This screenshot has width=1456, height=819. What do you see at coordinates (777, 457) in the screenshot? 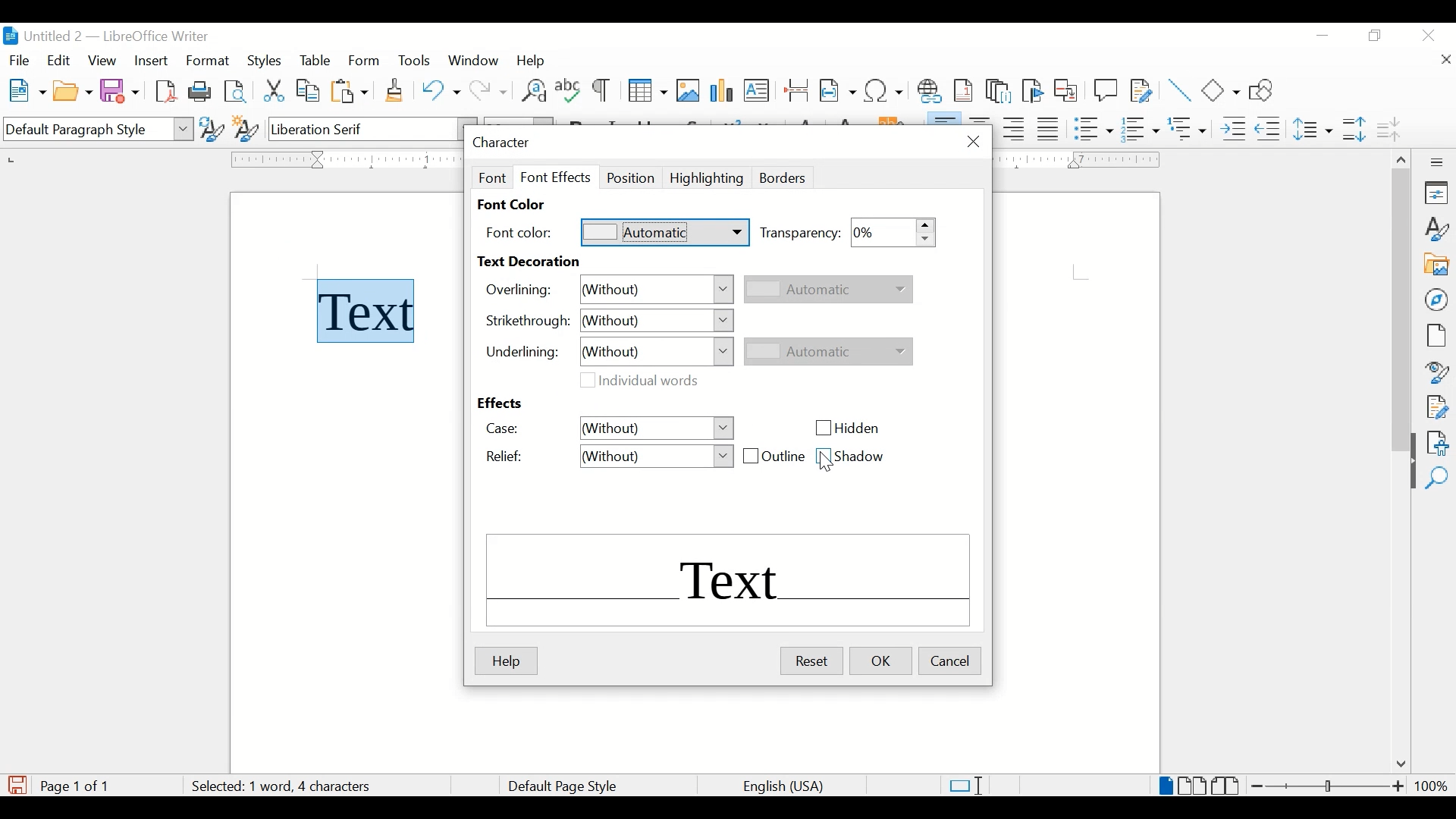
I see `outline checkbox` at bounding box center [777, 457].